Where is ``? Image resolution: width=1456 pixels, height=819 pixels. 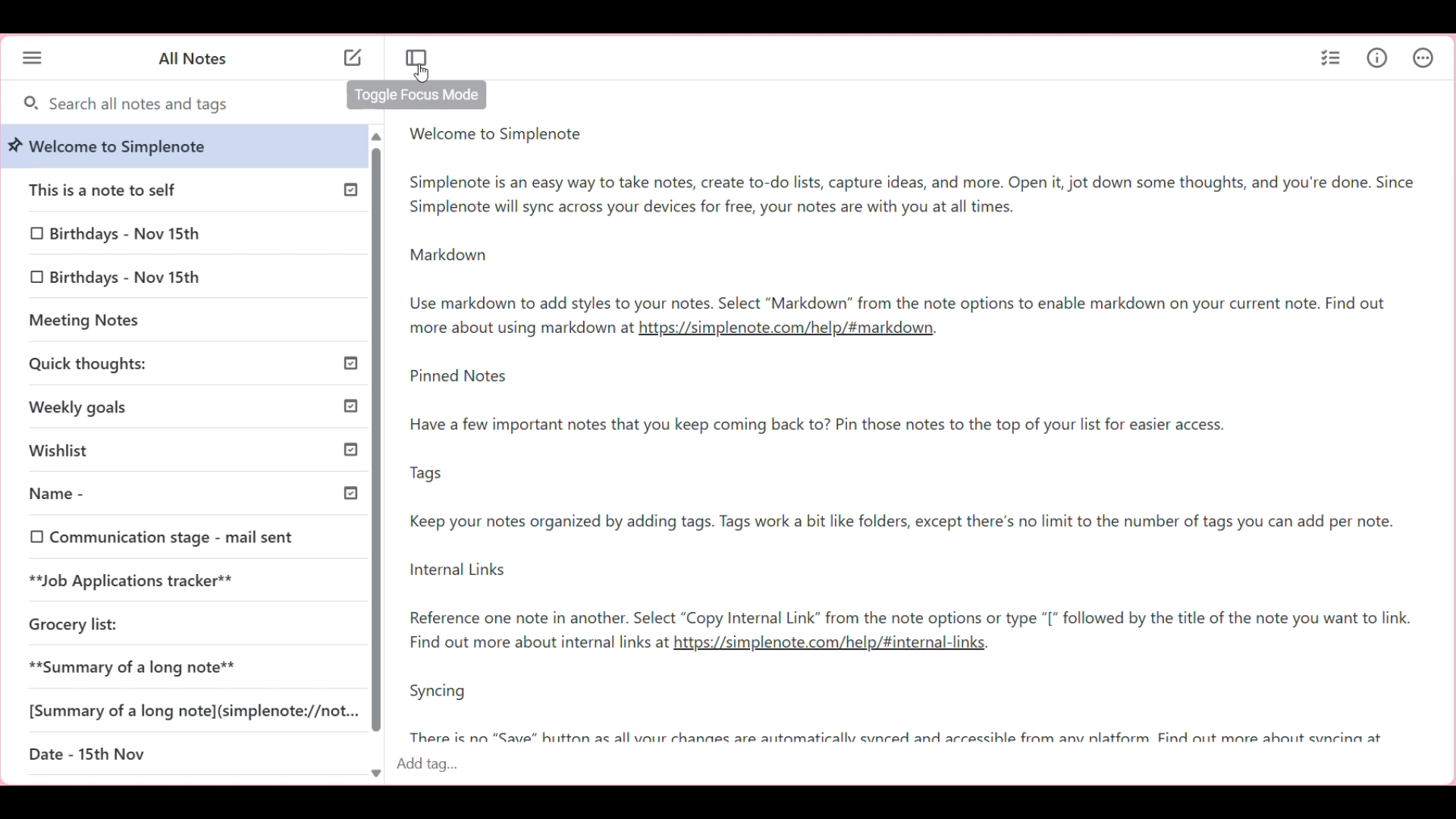  is located at coordinates (347, 363).